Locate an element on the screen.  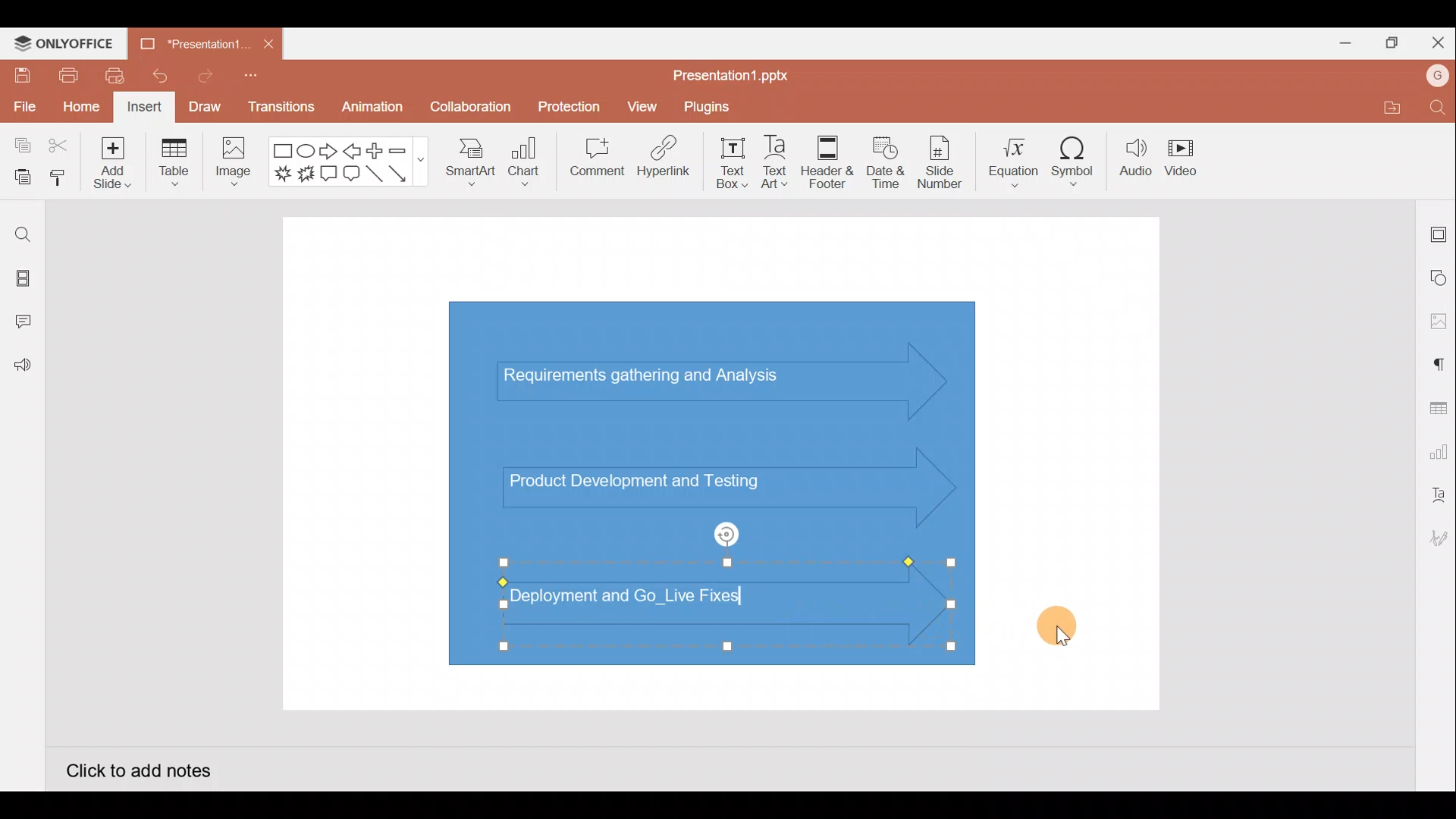
Hyperlink is located at coordinates (660, 158).